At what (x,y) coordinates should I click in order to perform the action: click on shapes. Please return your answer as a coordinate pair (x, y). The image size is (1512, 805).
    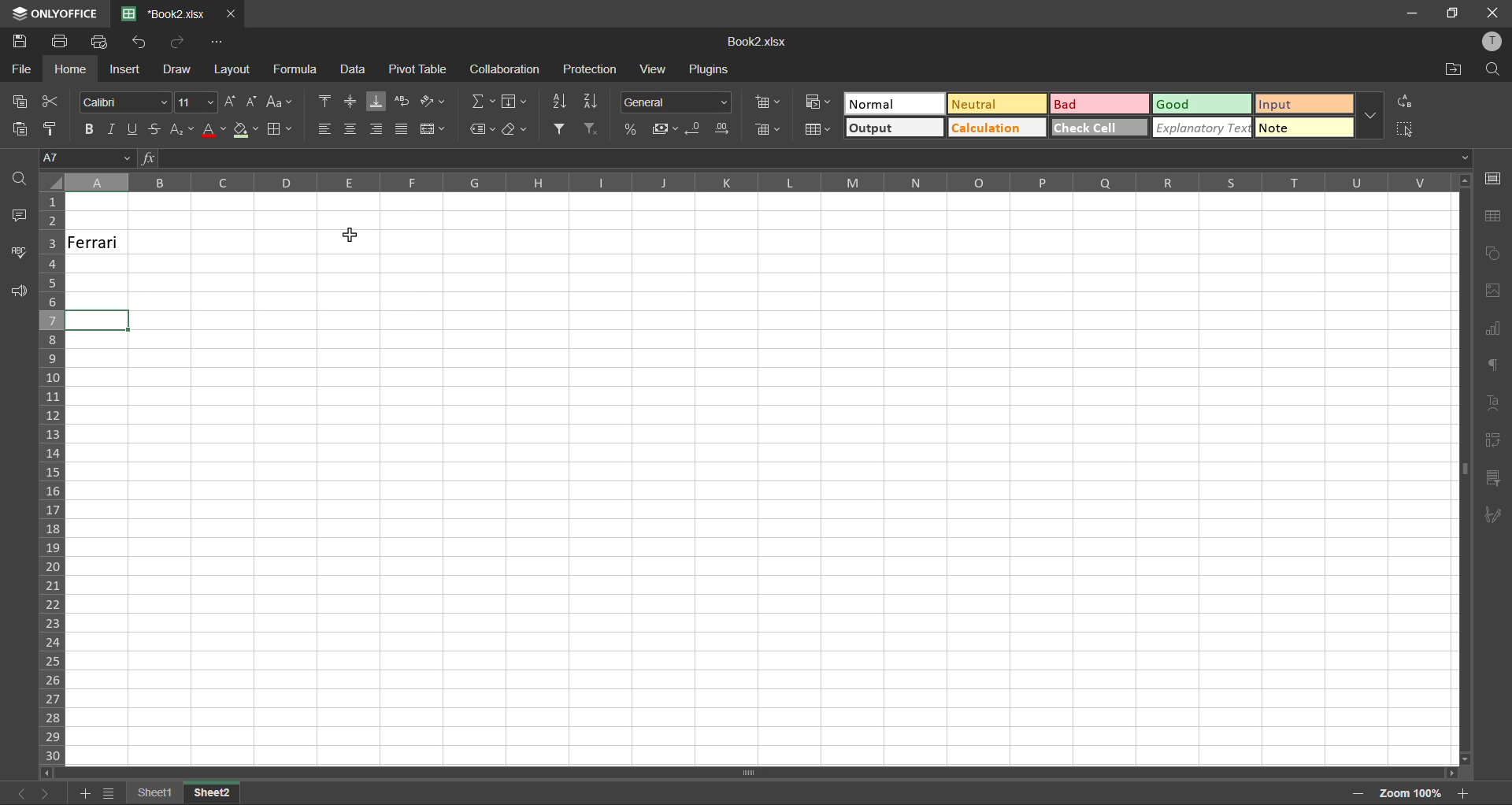
    Looking at the image, I should click on (1492, 254).